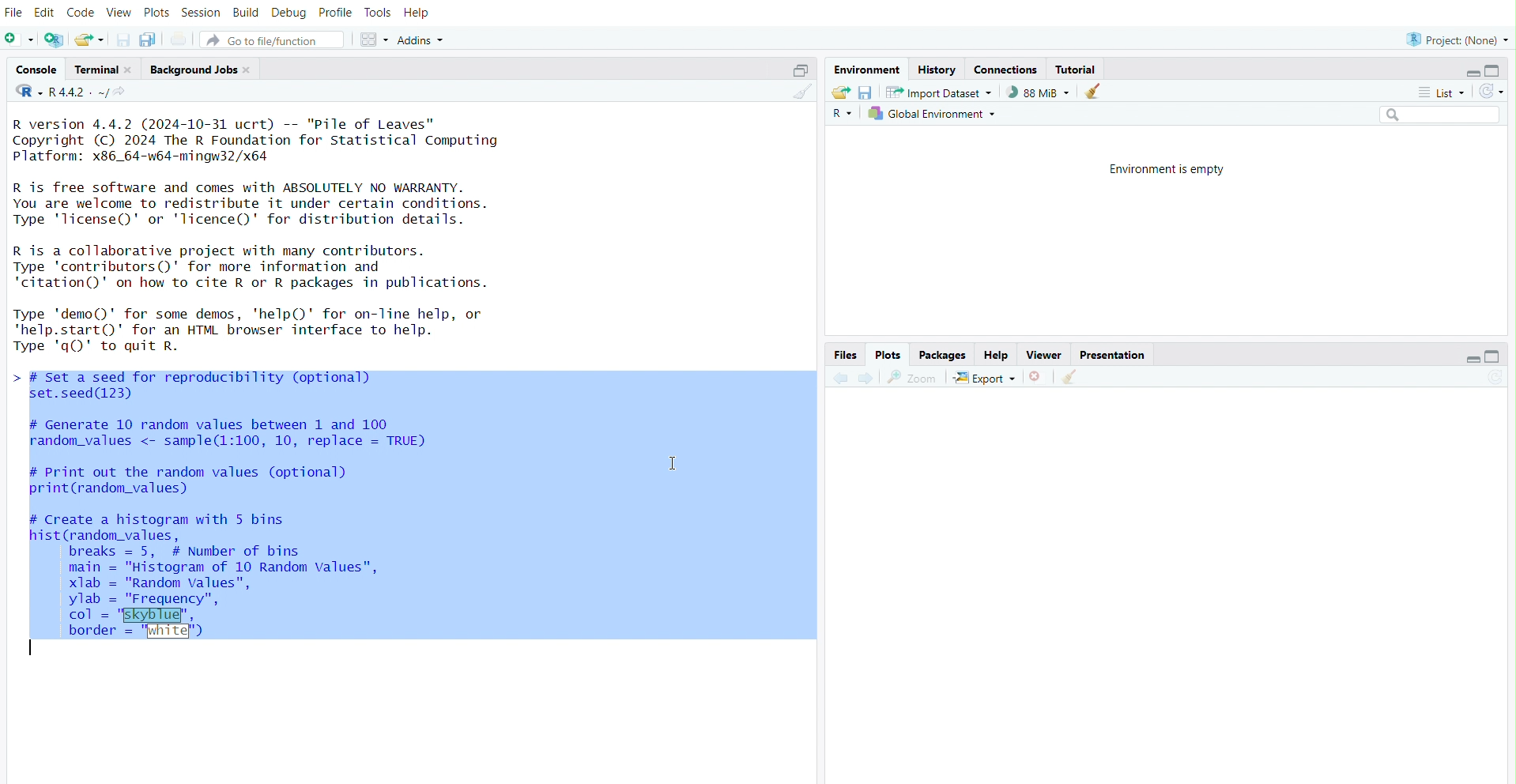 The height and width of the screenshot is (784, 1516). What do you see at coordinates (283, 330) in the screenshot?
I see `details of R demo and help` at bounding box center [283, 330].